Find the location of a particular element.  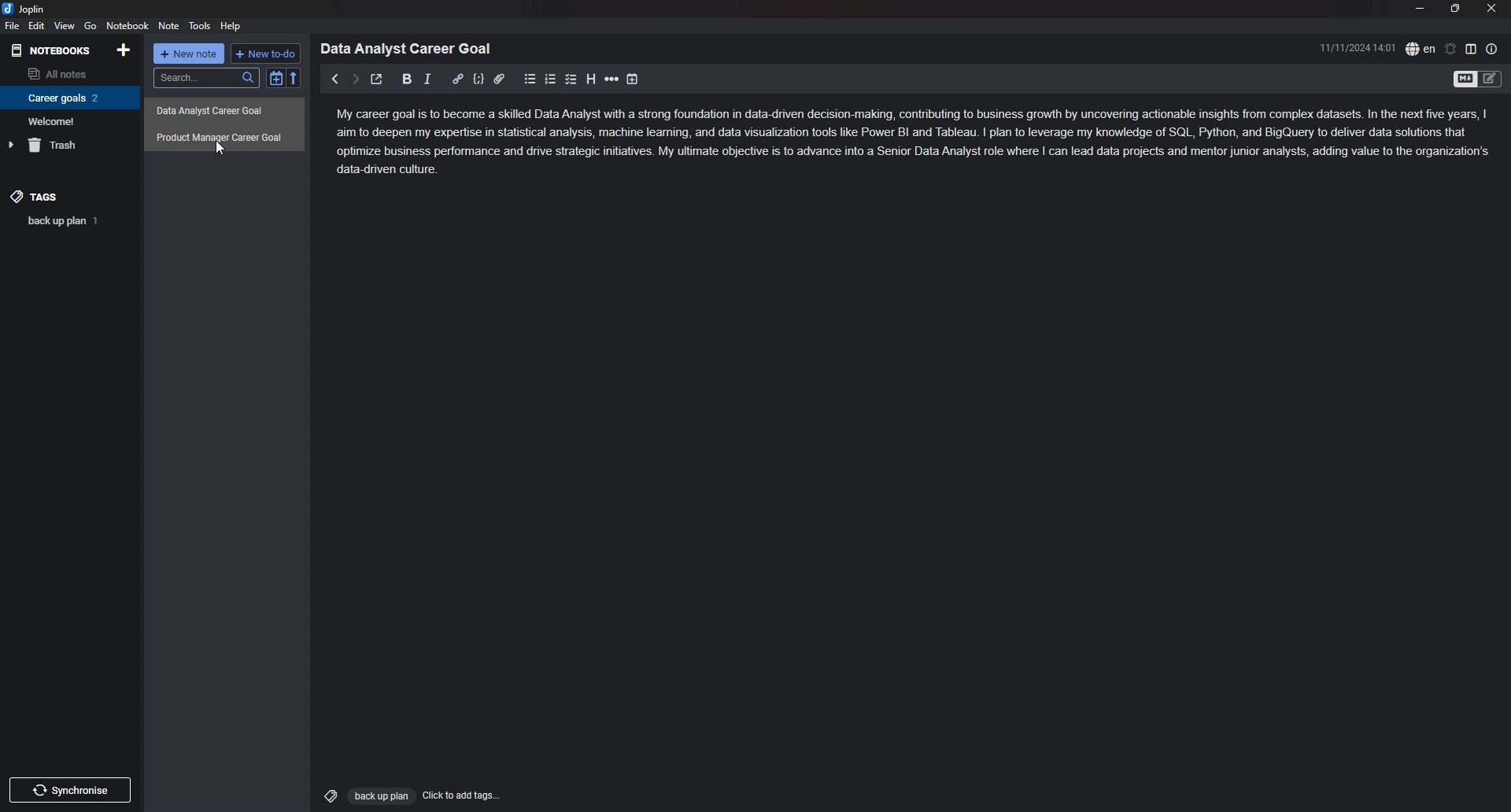

previous is located at coordinates (334, 79).